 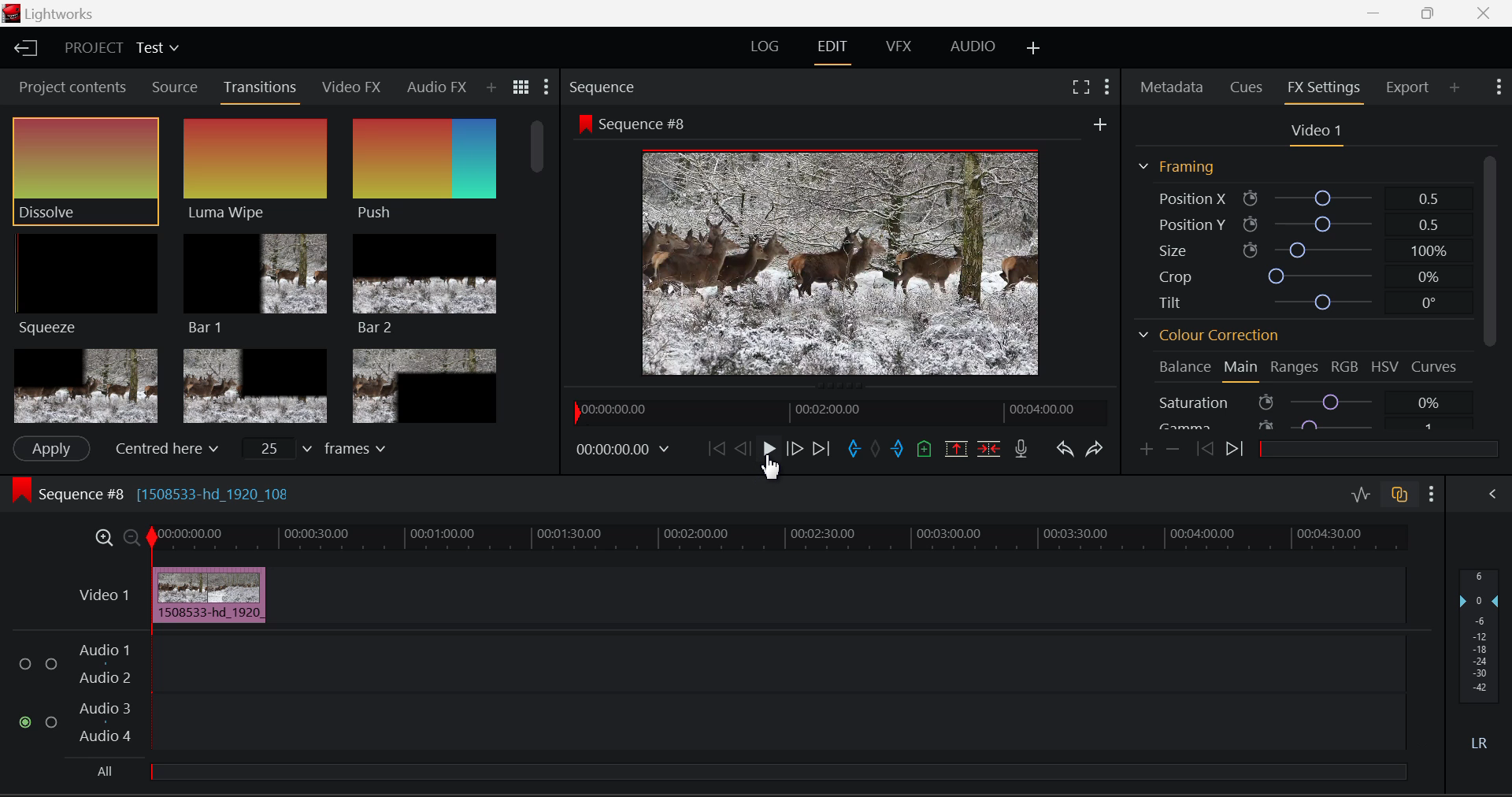 What do you see at coordinates (106, 651) in the screenshot?
I see `Audio 1` at bounding box center [106, 651].